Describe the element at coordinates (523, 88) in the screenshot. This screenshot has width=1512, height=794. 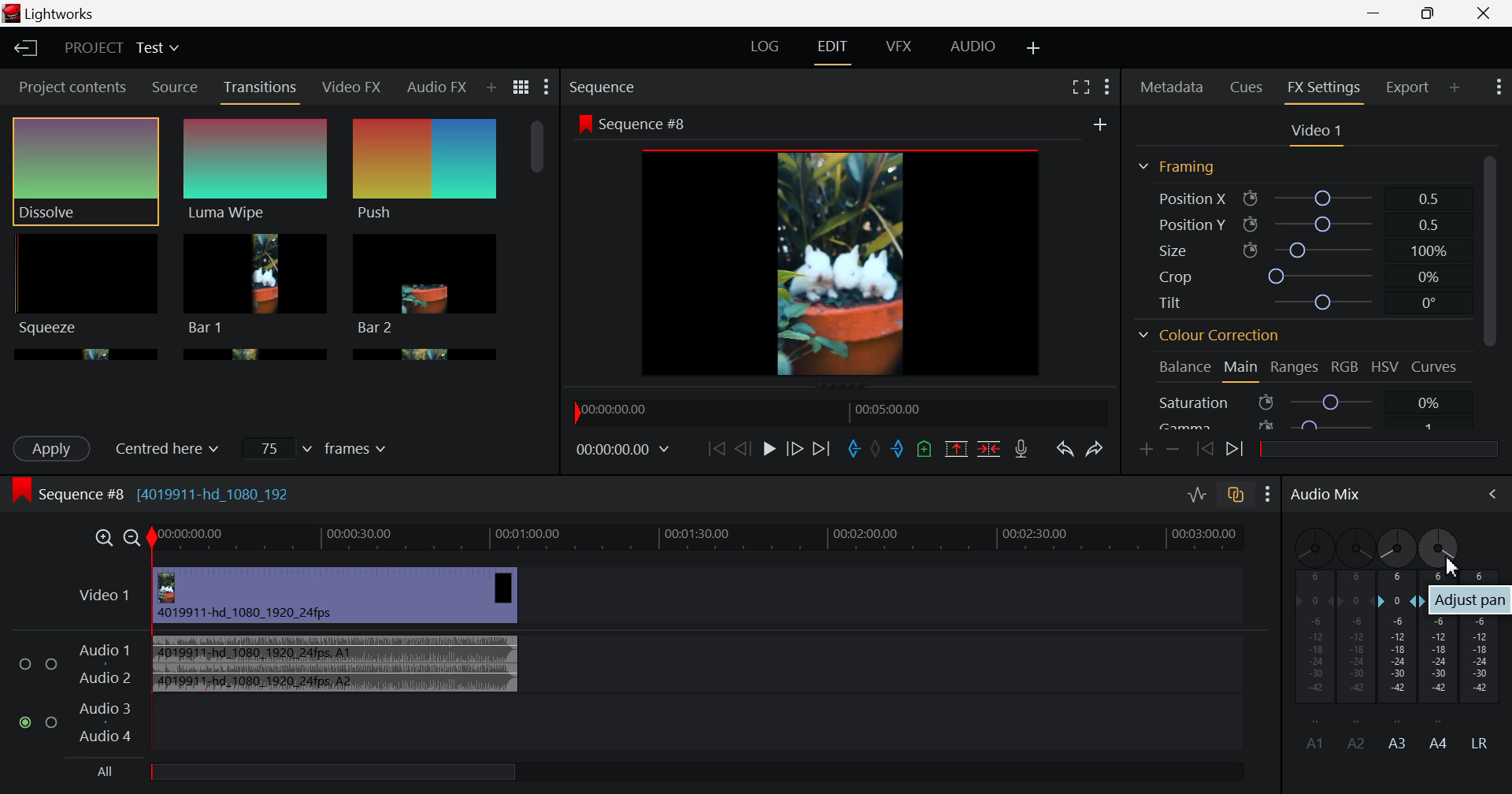
I see `Toggle list and title view` at that location.